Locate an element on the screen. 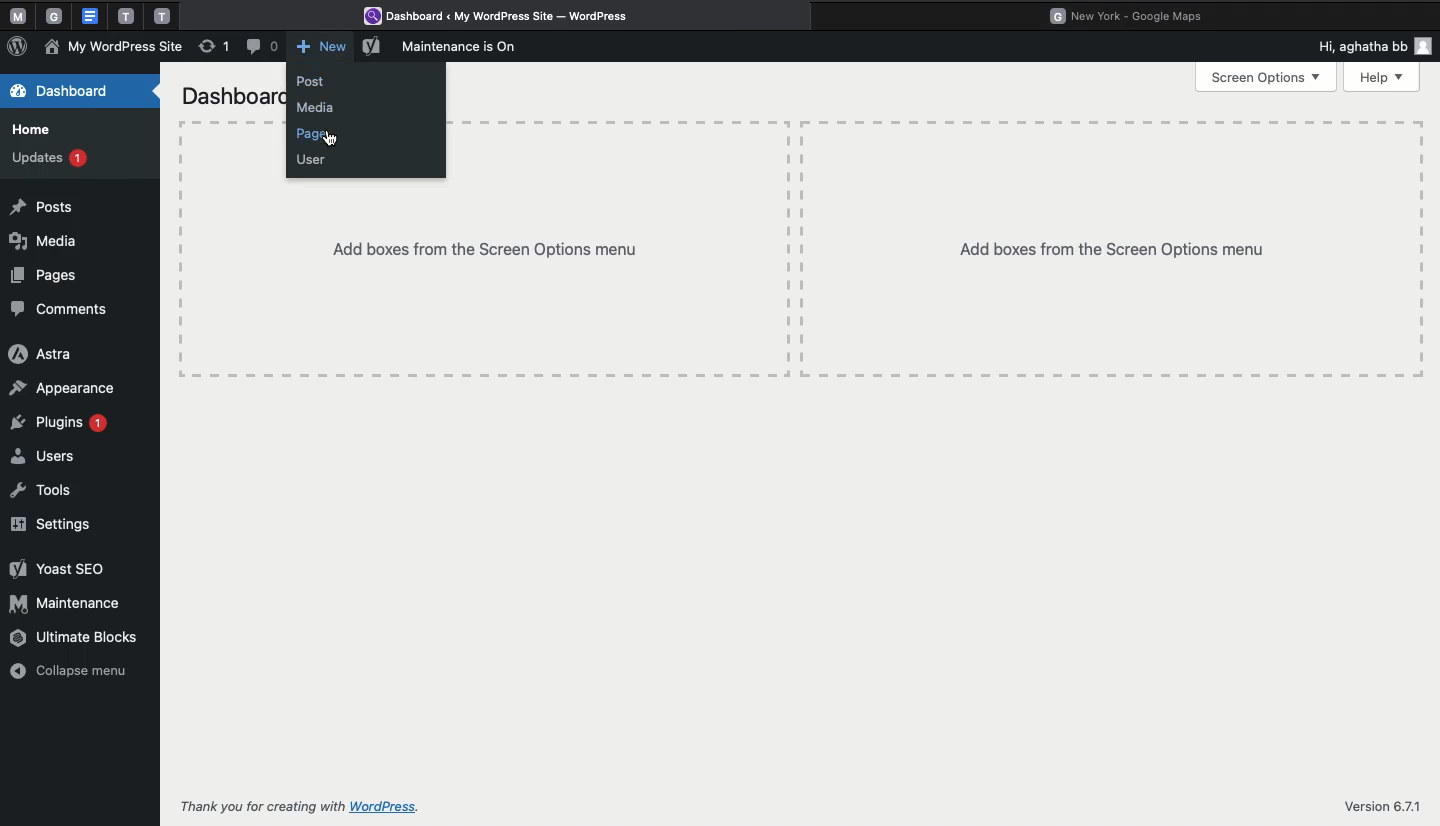 The image size is (1440, 826). Yoast is located at coordinates (372, 49).